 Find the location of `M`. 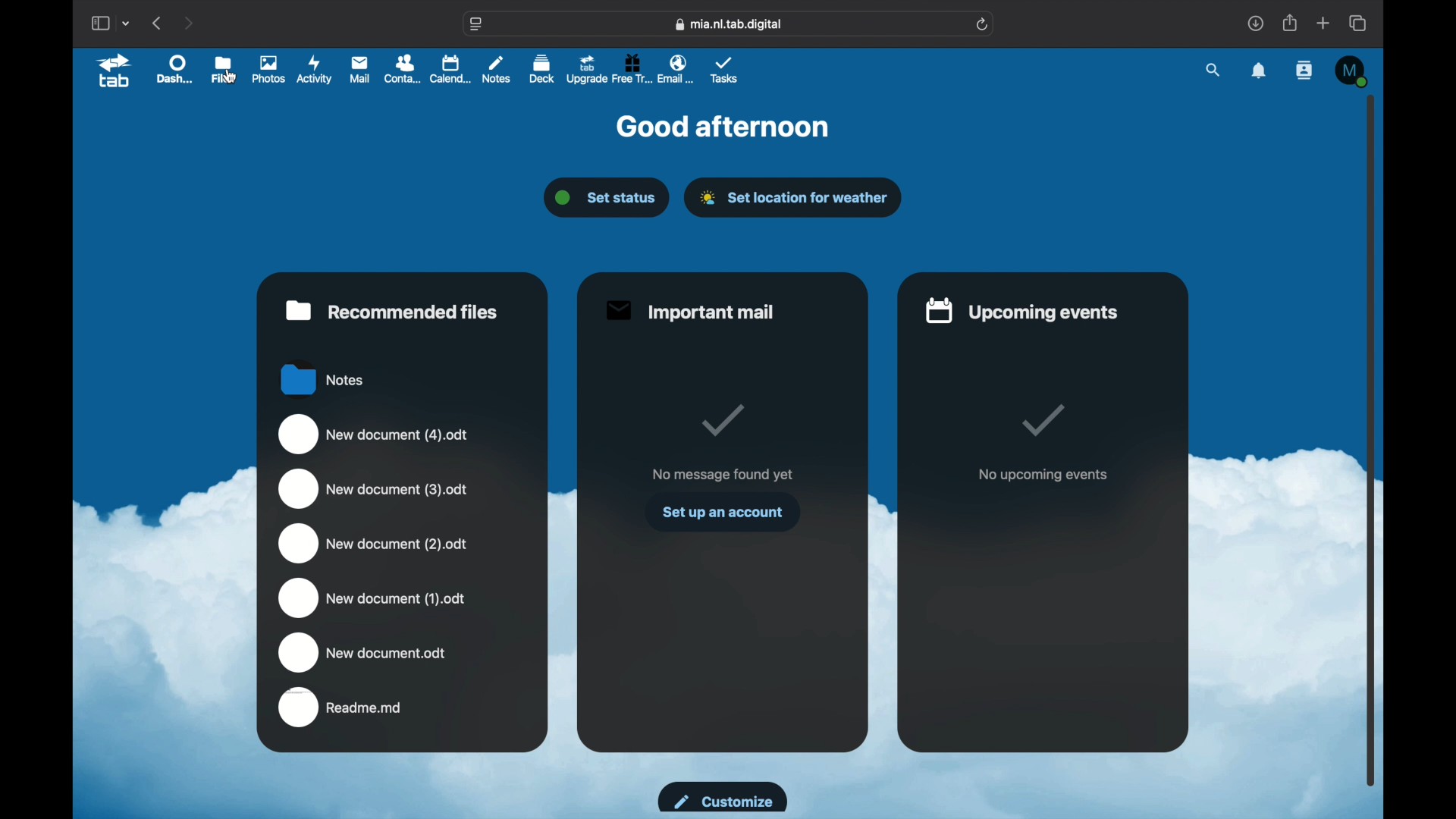

M is located at coordinates (1352, 72).